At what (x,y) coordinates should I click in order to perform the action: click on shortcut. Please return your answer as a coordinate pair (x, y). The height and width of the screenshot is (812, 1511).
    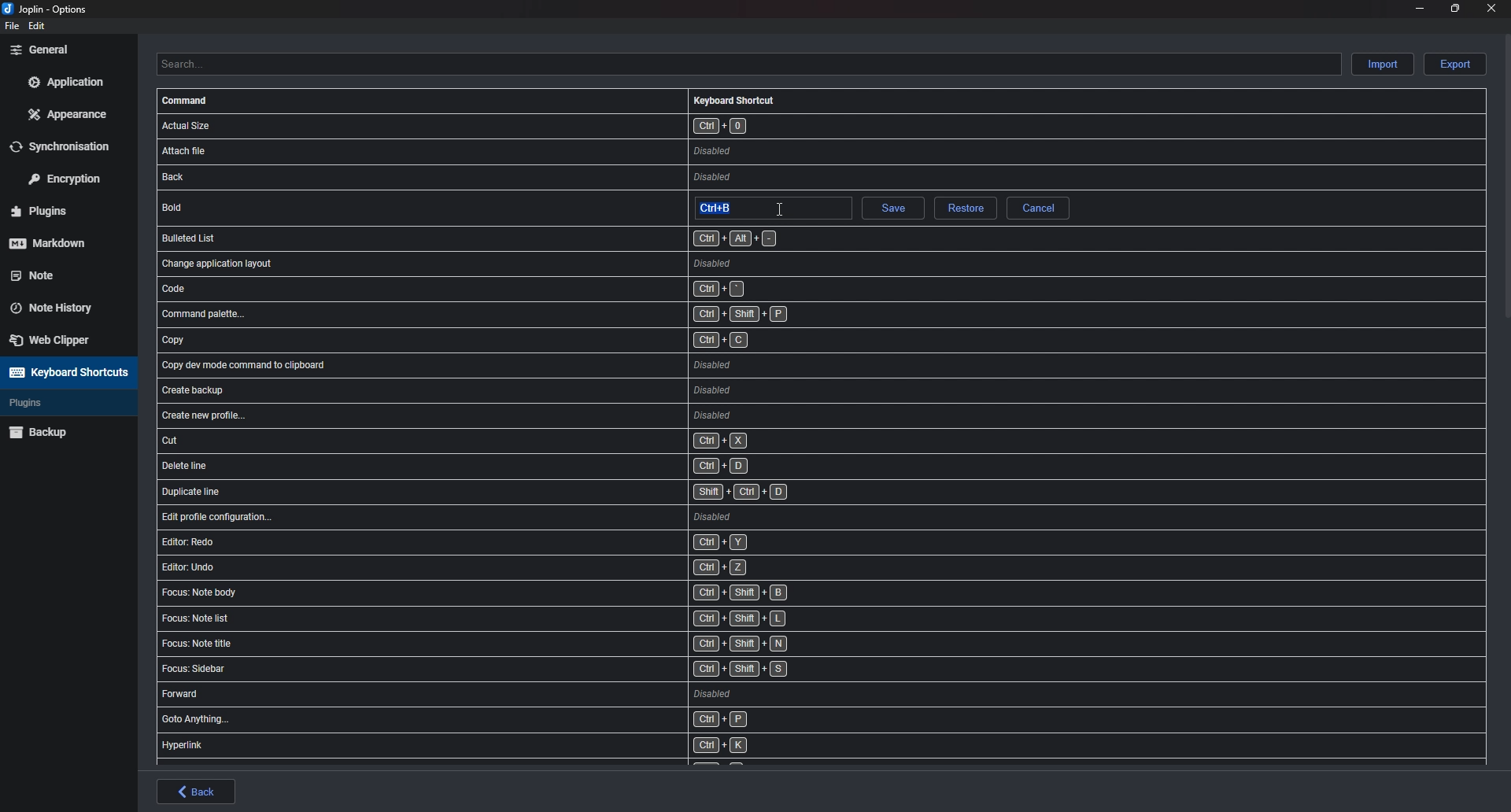
    Looking at the image, I should click on (535, 315).